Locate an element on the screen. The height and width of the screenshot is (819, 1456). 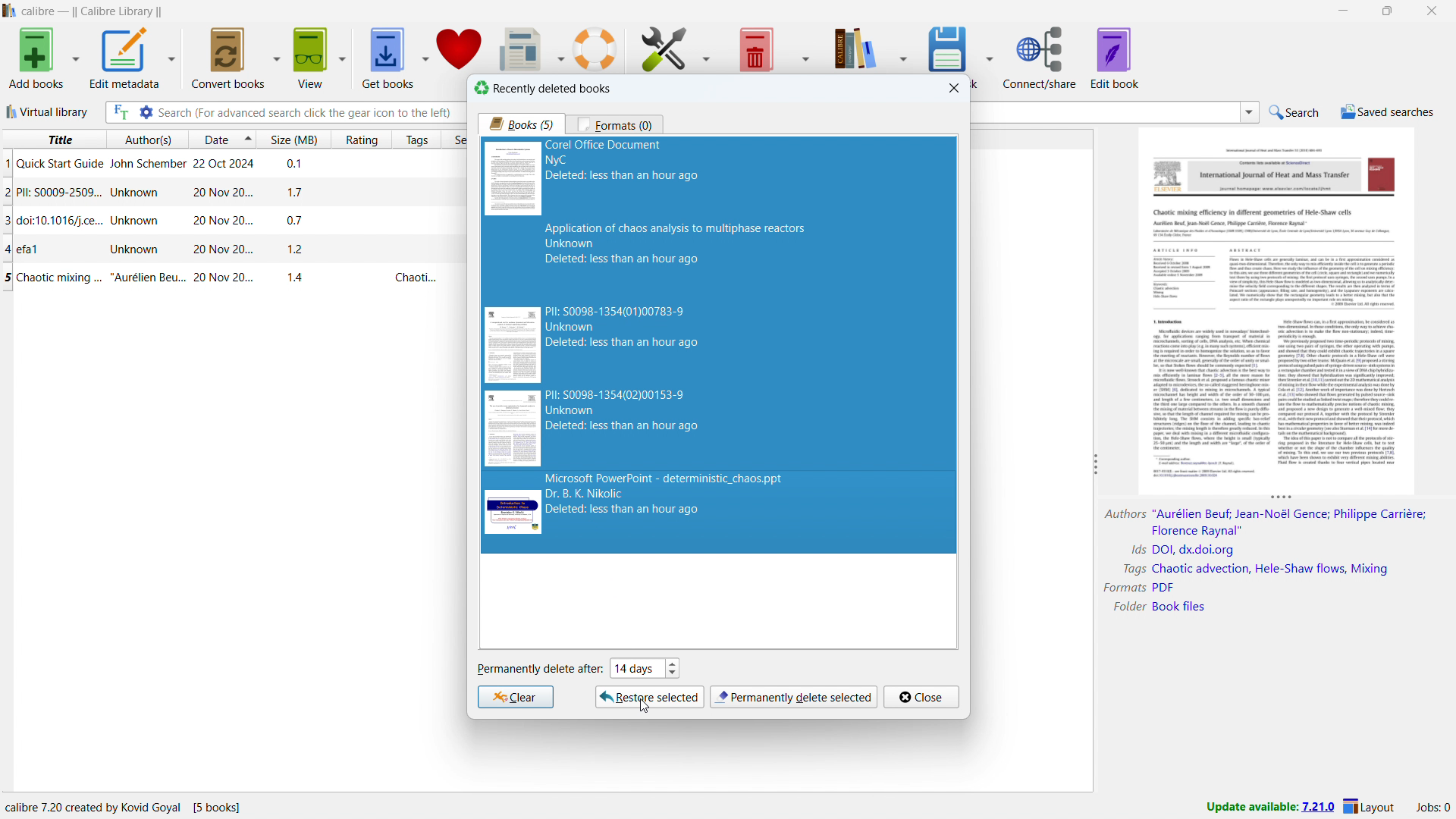
resize is located at coordinates (1094, 465).